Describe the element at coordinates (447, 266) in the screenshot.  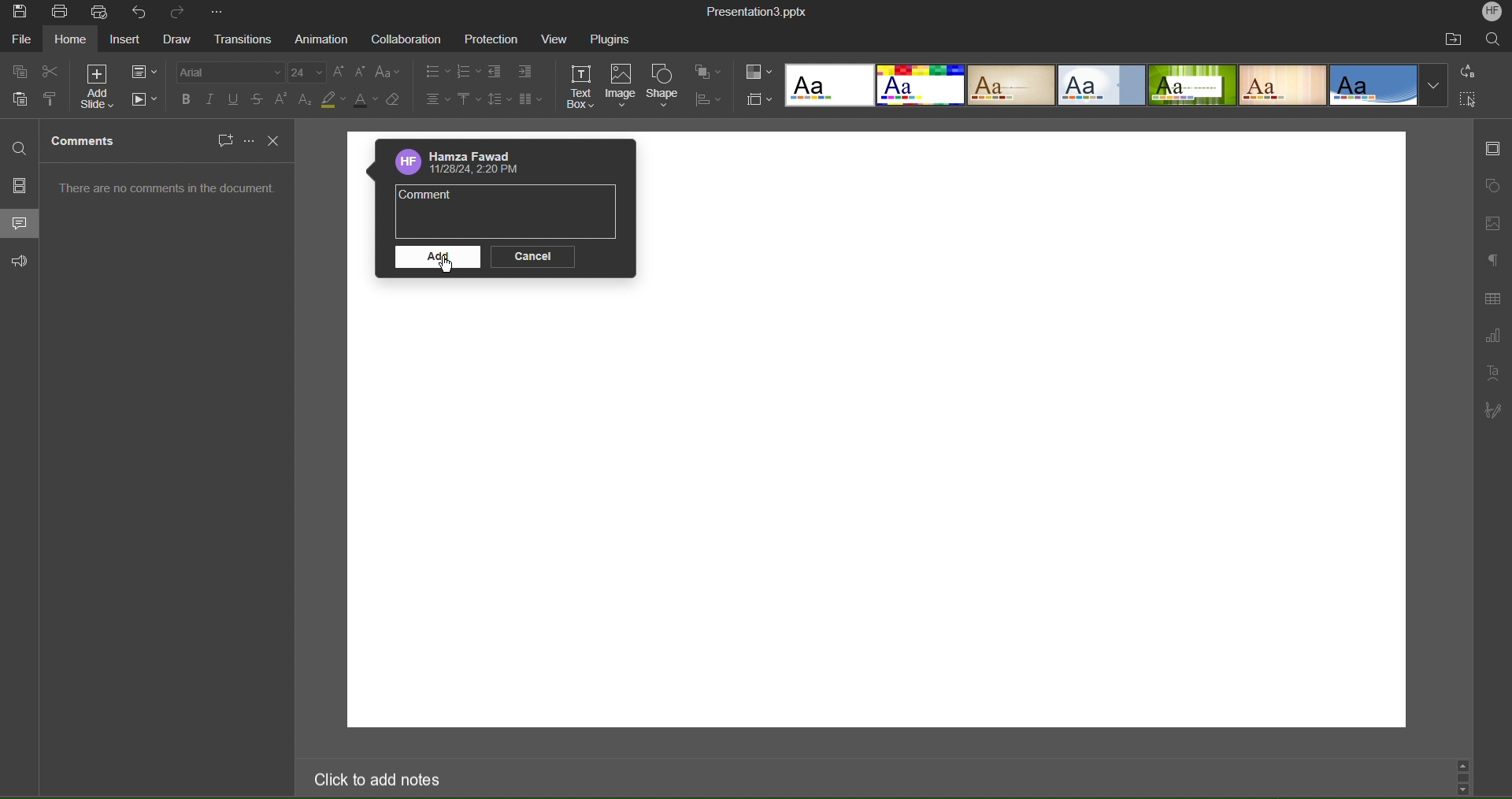
I see `cursor` at that location.